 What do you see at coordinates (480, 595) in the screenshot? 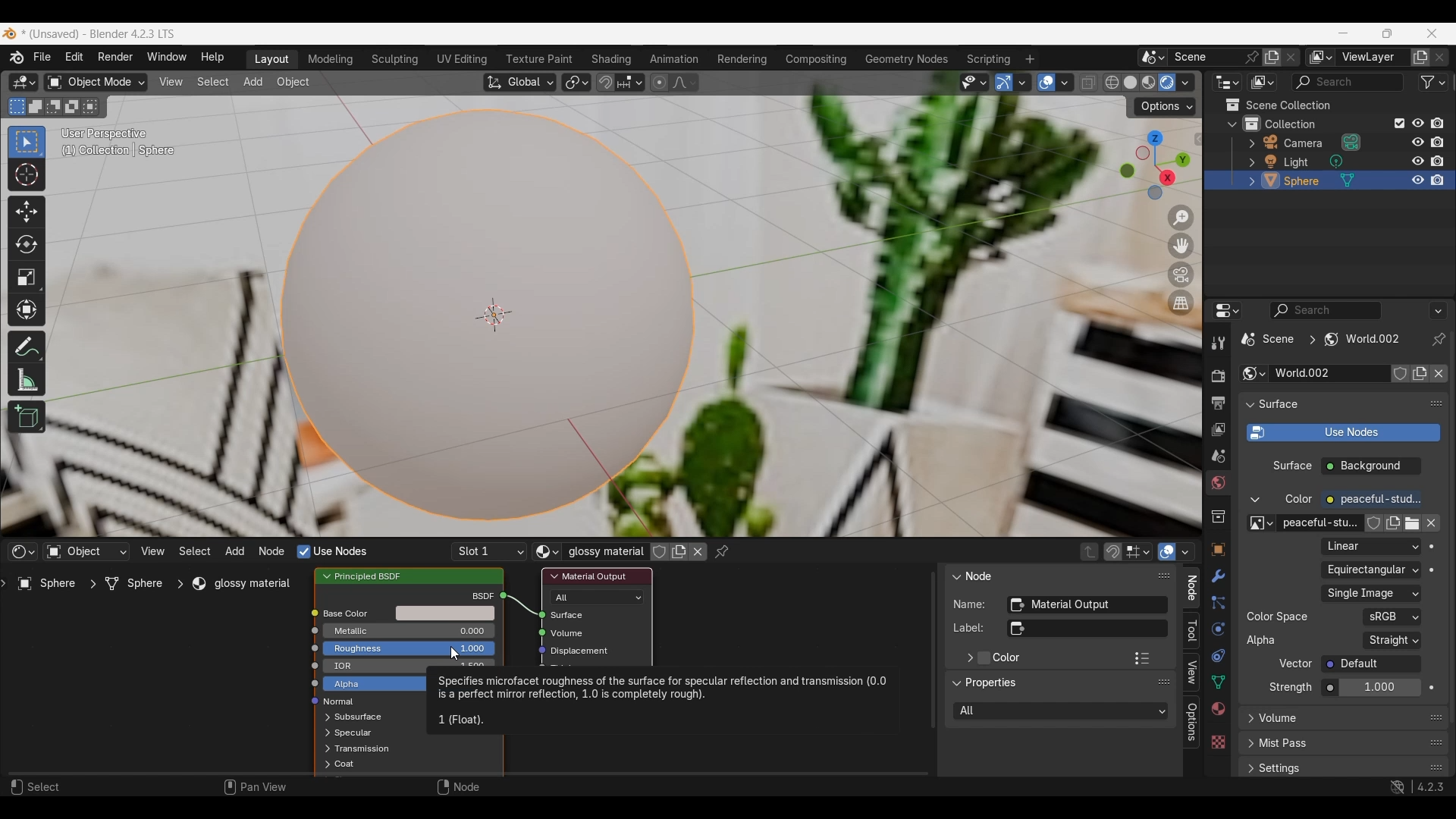
I see `bscf` at bounding box center [480, 595].